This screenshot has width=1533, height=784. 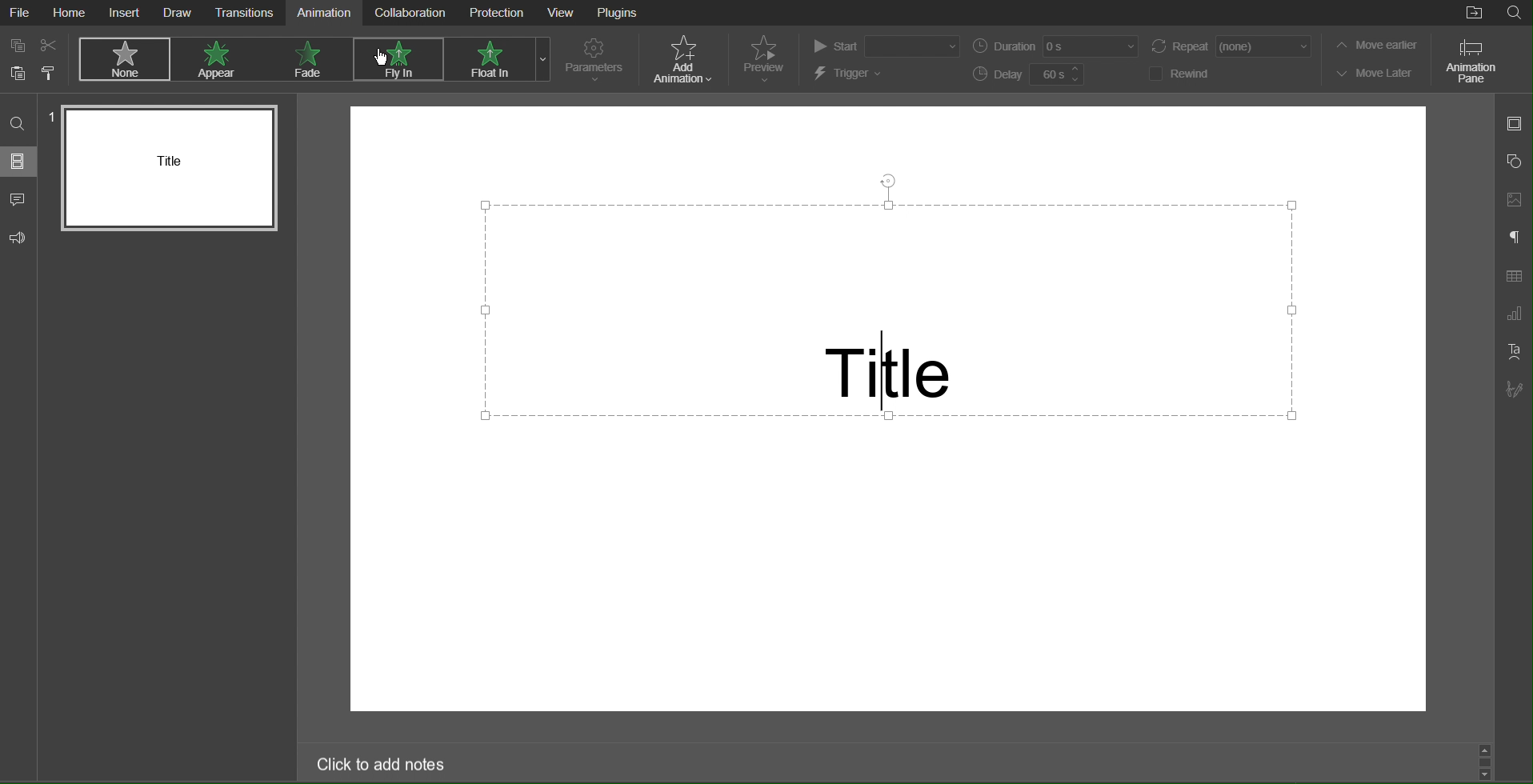 I want to click on File, so click(x=20, y=12).